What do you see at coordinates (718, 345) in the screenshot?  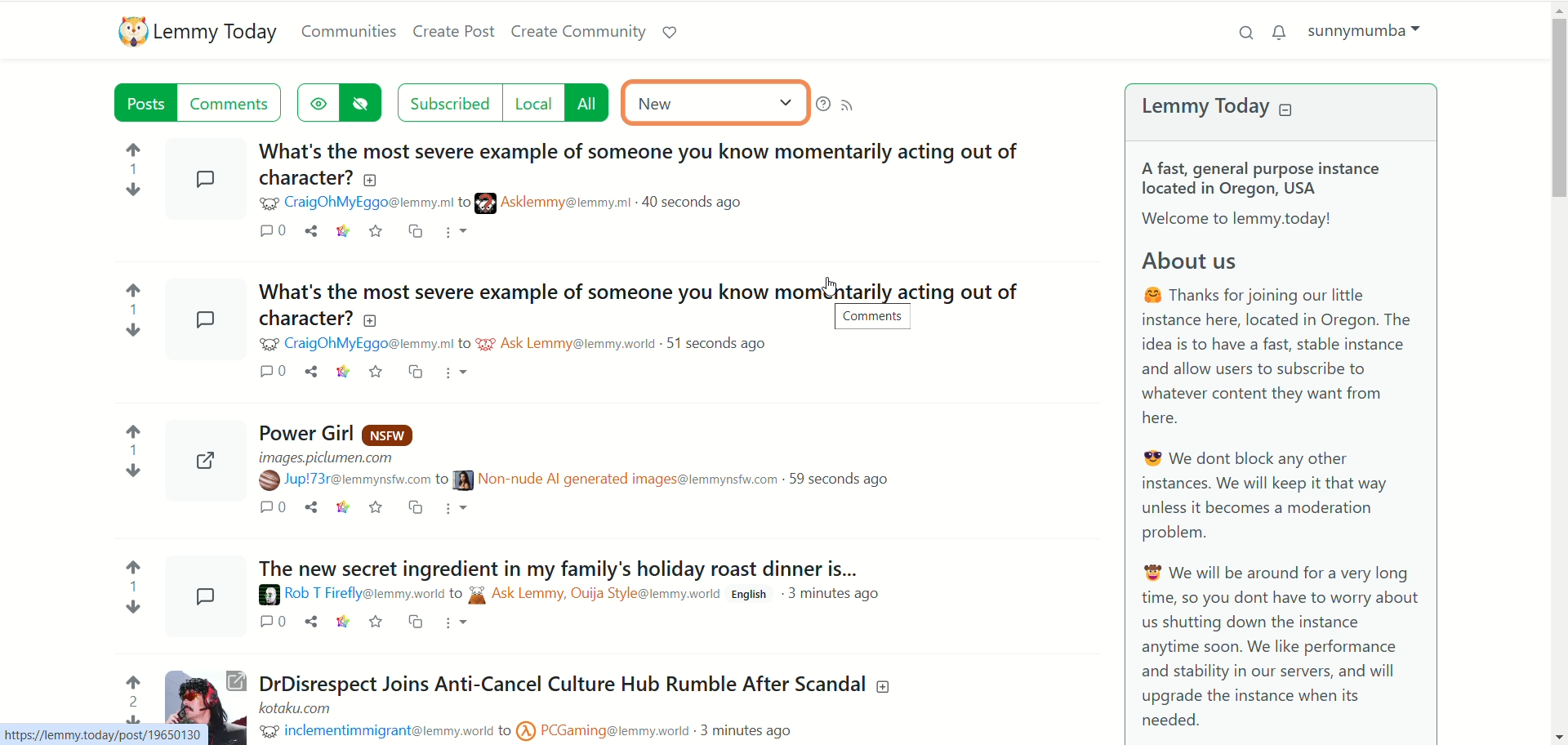 I see `51 seconds ago` at bounding box center [718, 345].